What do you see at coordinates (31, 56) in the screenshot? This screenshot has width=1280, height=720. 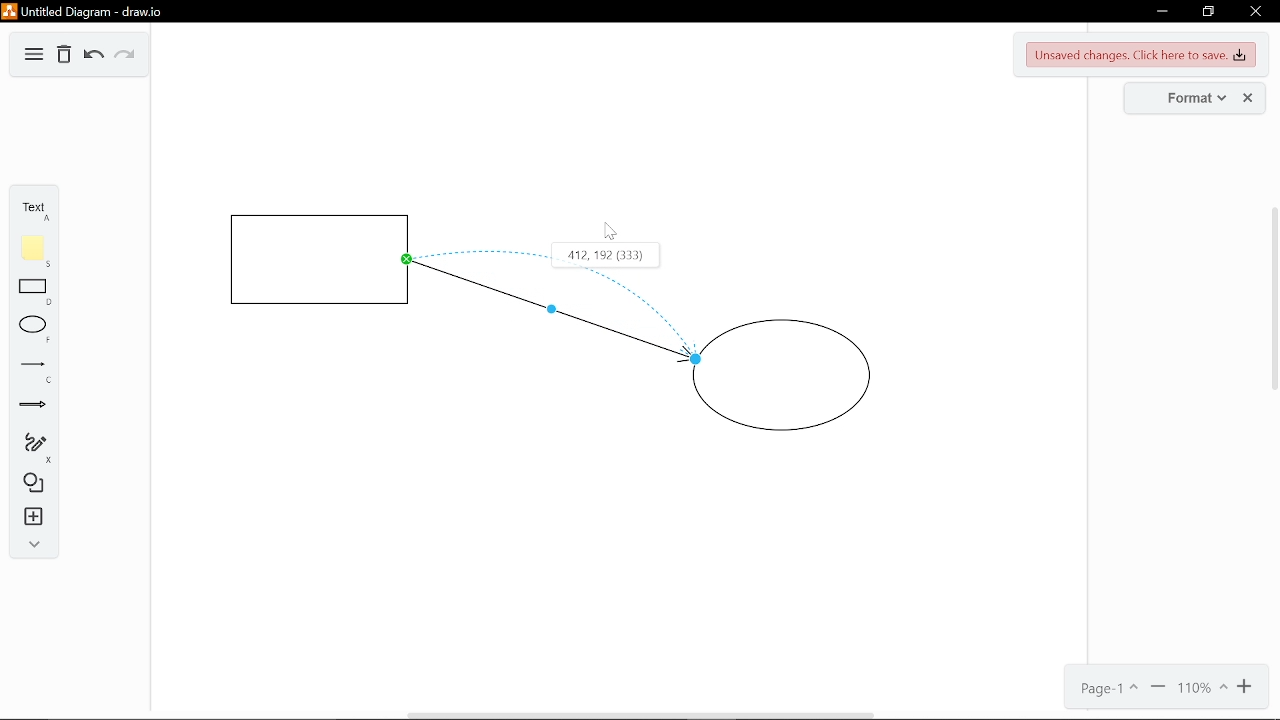 I see `Diagram` at bounding box center [31, 56].